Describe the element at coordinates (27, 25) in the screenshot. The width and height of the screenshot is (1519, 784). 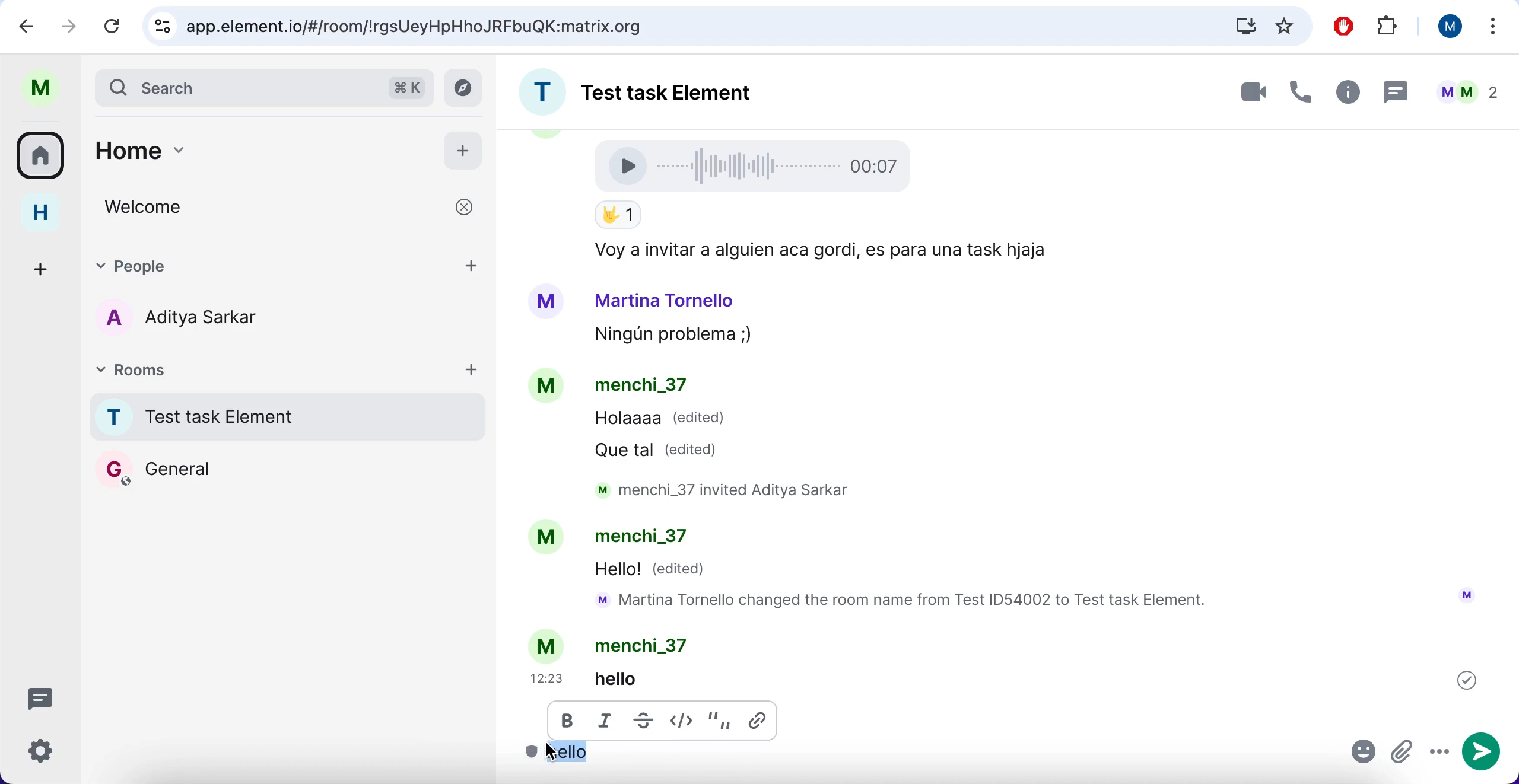
I see `backward` at that location.